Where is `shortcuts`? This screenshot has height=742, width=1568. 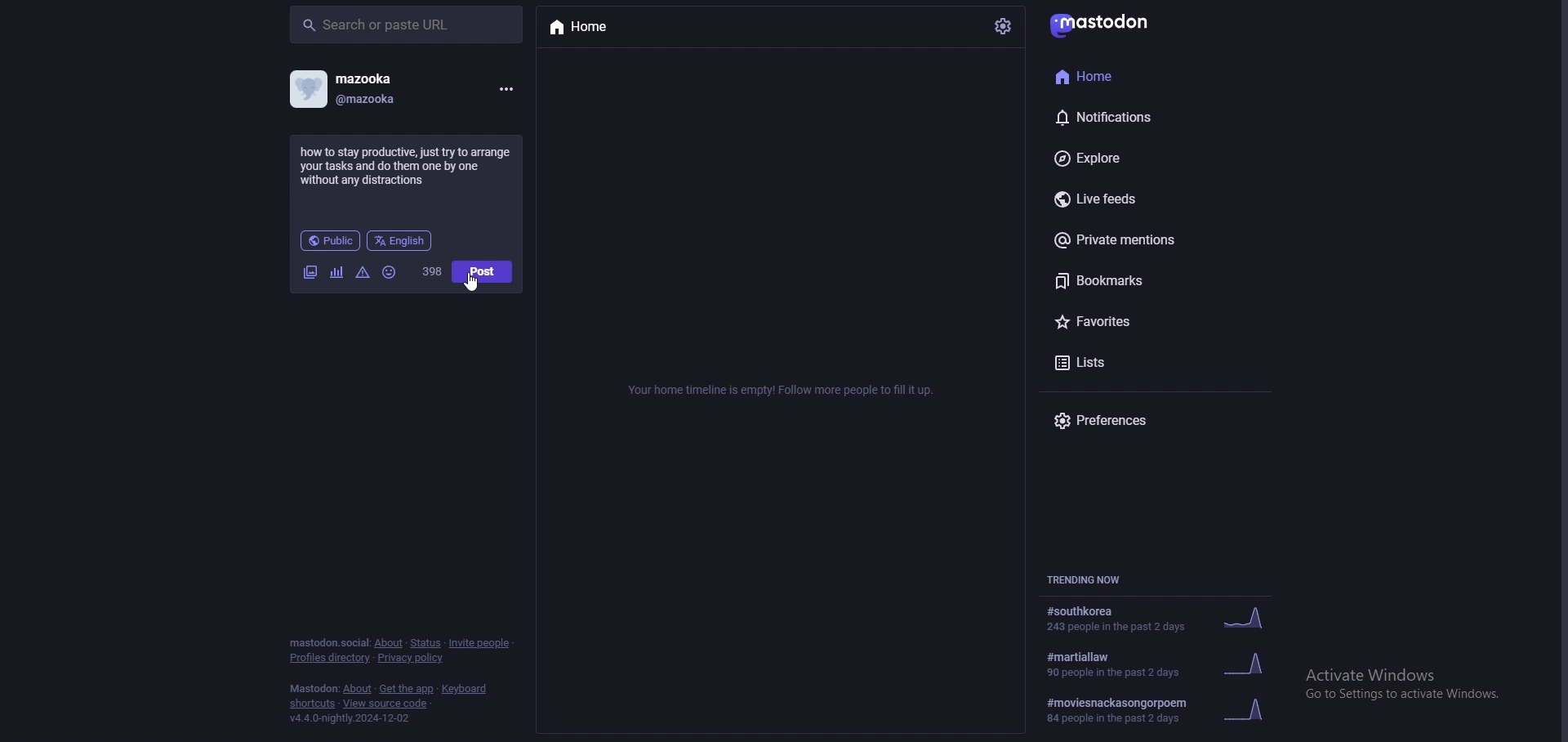
shortcuts is located at coordinates (313, 704).